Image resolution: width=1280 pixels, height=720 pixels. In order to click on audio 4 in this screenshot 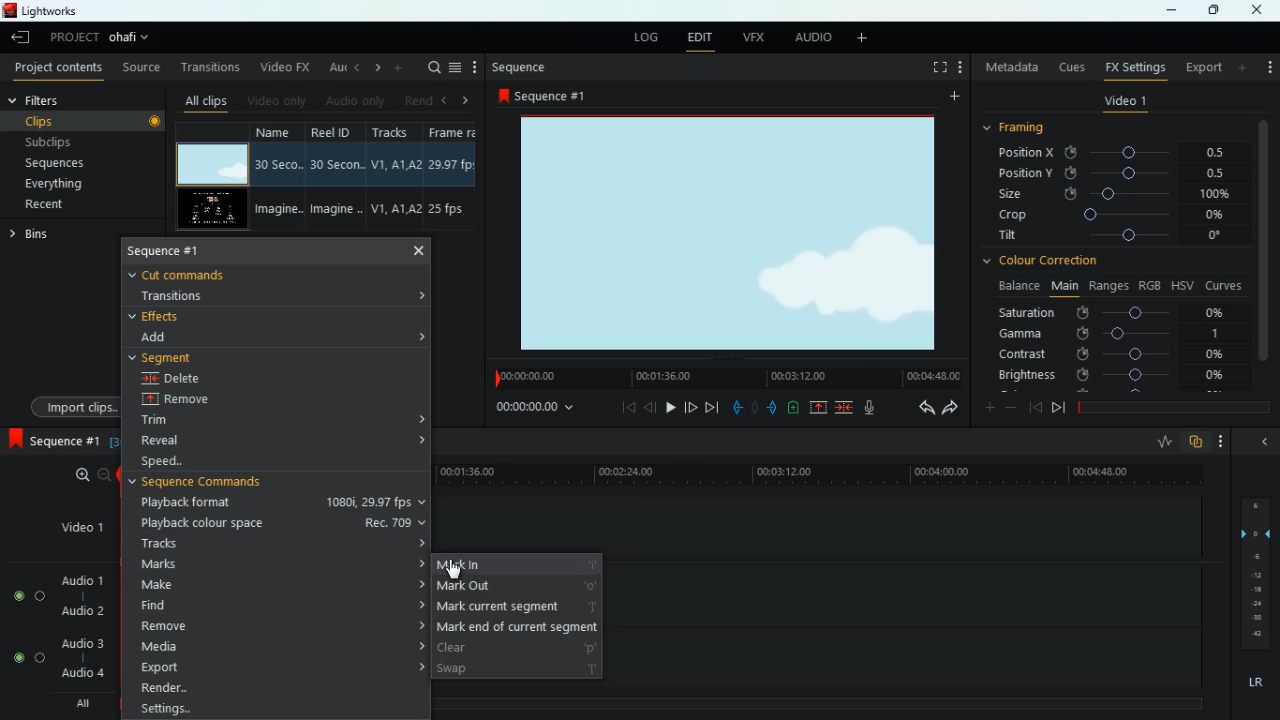, I will do `click(79, 672)`.